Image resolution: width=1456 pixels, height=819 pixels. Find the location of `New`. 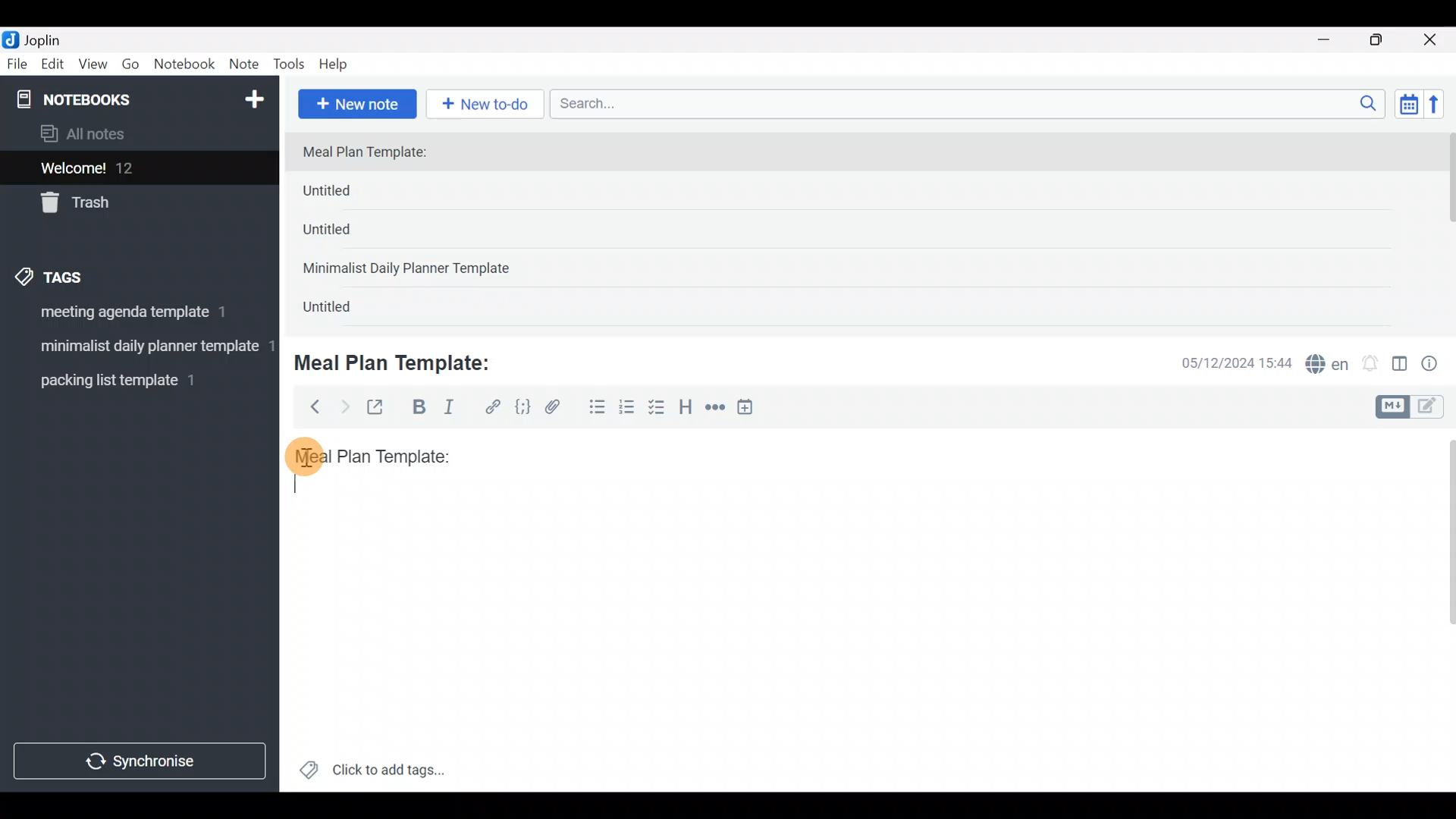

New is located at coordinates (253, 96).